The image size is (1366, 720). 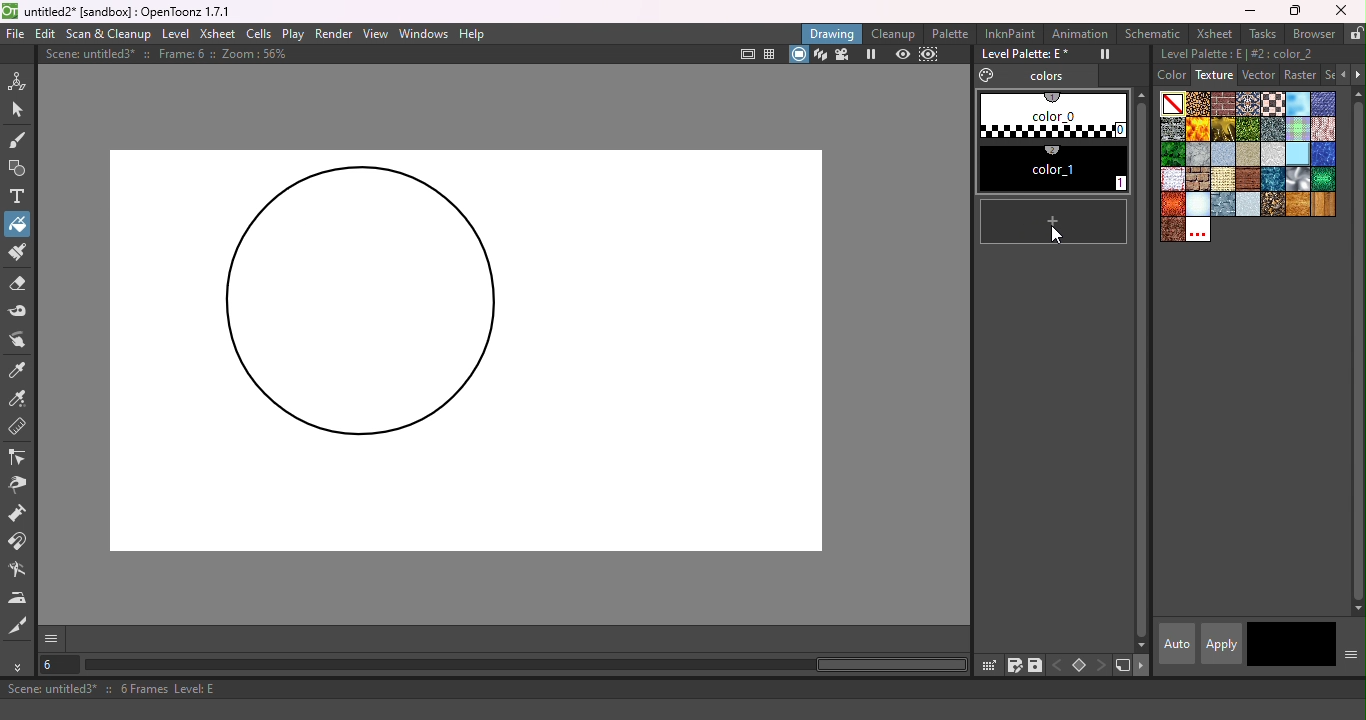 I want to click on Vector, so click(x=1259, y=75).